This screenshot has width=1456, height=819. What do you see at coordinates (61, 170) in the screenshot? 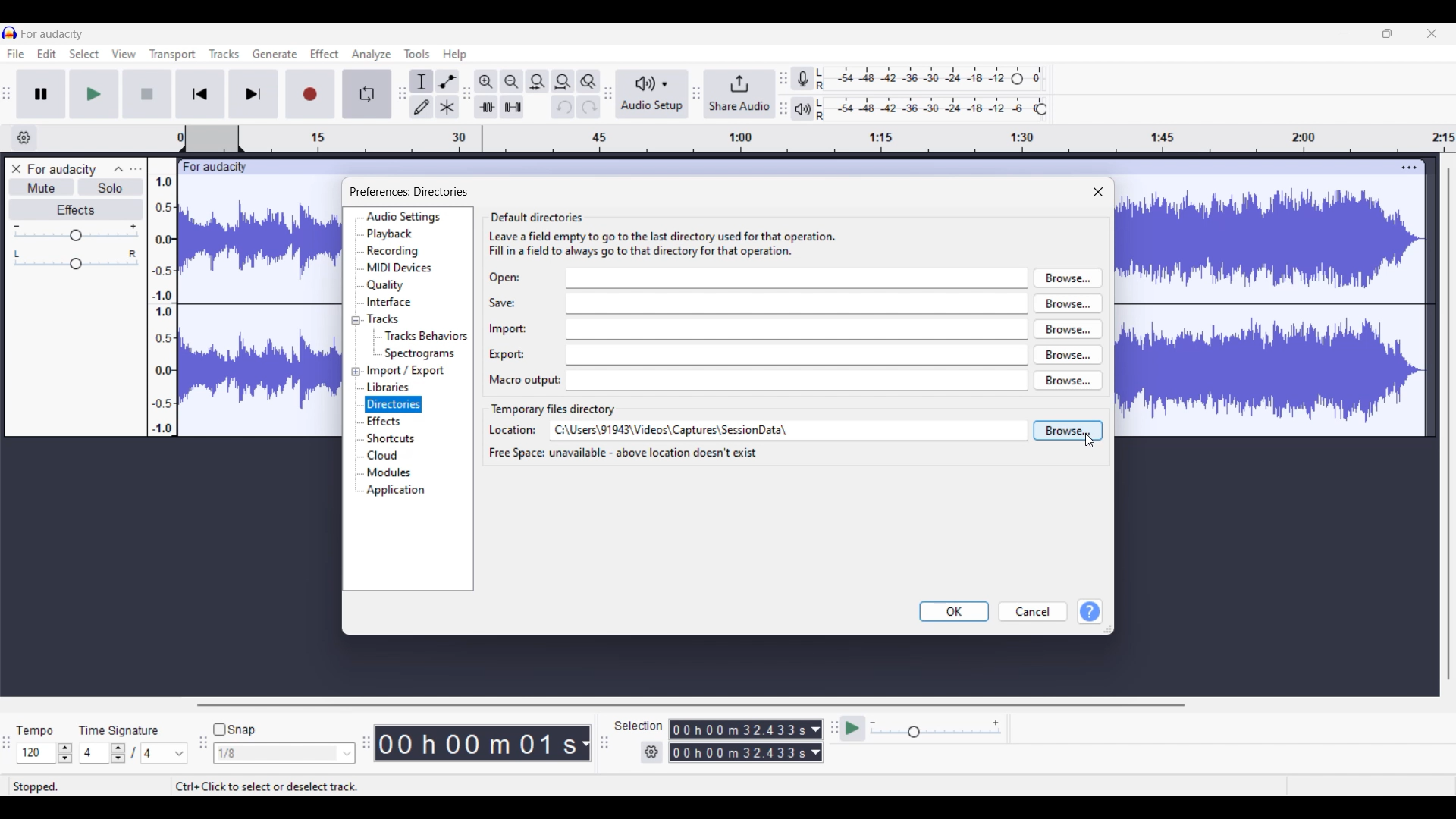
I see `Project name` at bounding box center [61, 170].